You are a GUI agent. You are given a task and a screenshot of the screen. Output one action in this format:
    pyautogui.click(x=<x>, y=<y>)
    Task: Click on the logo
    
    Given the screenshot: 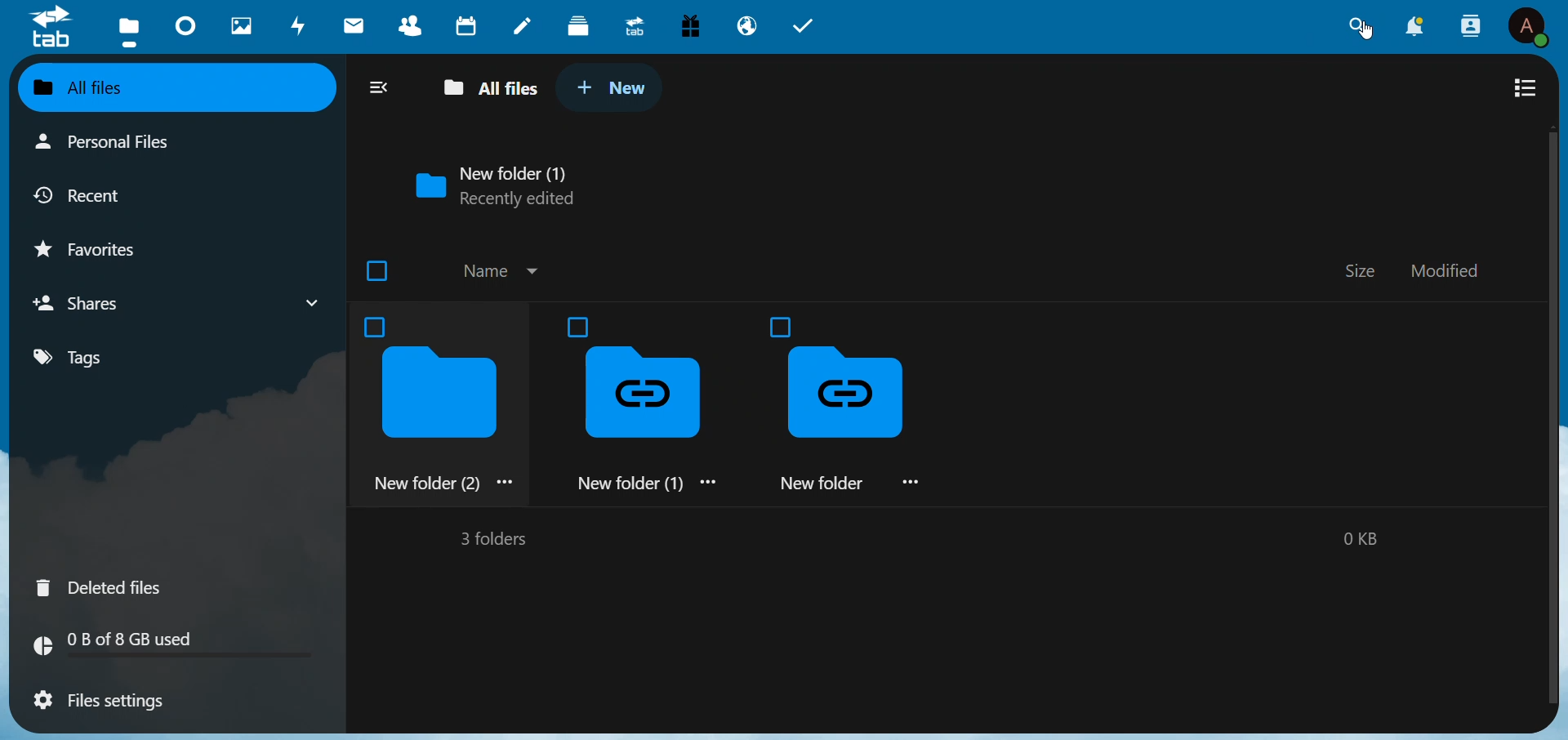 What is the action you would take?
    pyautogui.click(x=49, y=26)
    